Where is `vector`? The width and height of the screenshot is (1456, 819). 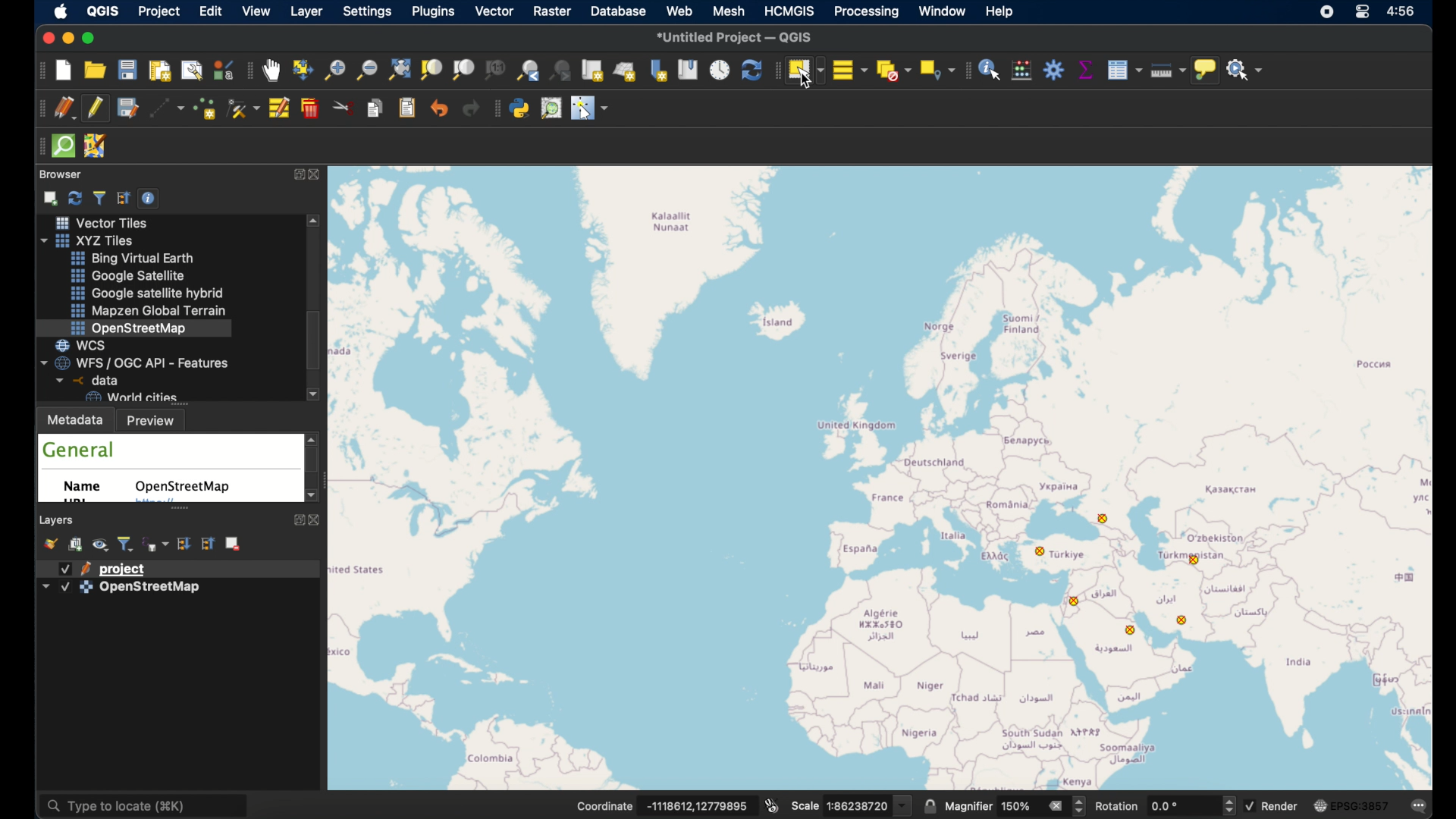
vector is located at coordinates (494, 12).